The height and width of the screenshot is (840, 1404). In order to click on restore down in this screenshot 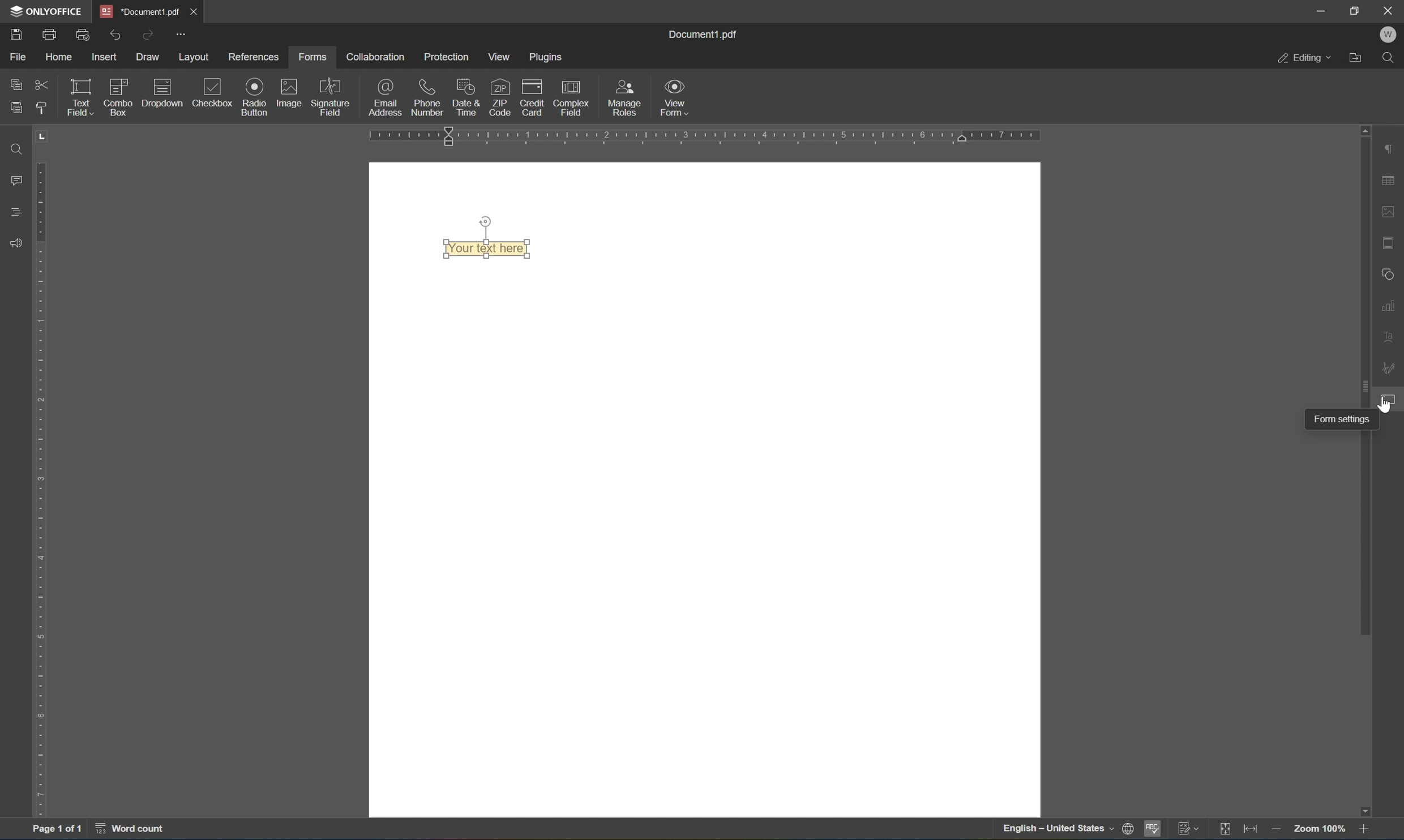, I will do `click(1356, 10)`.